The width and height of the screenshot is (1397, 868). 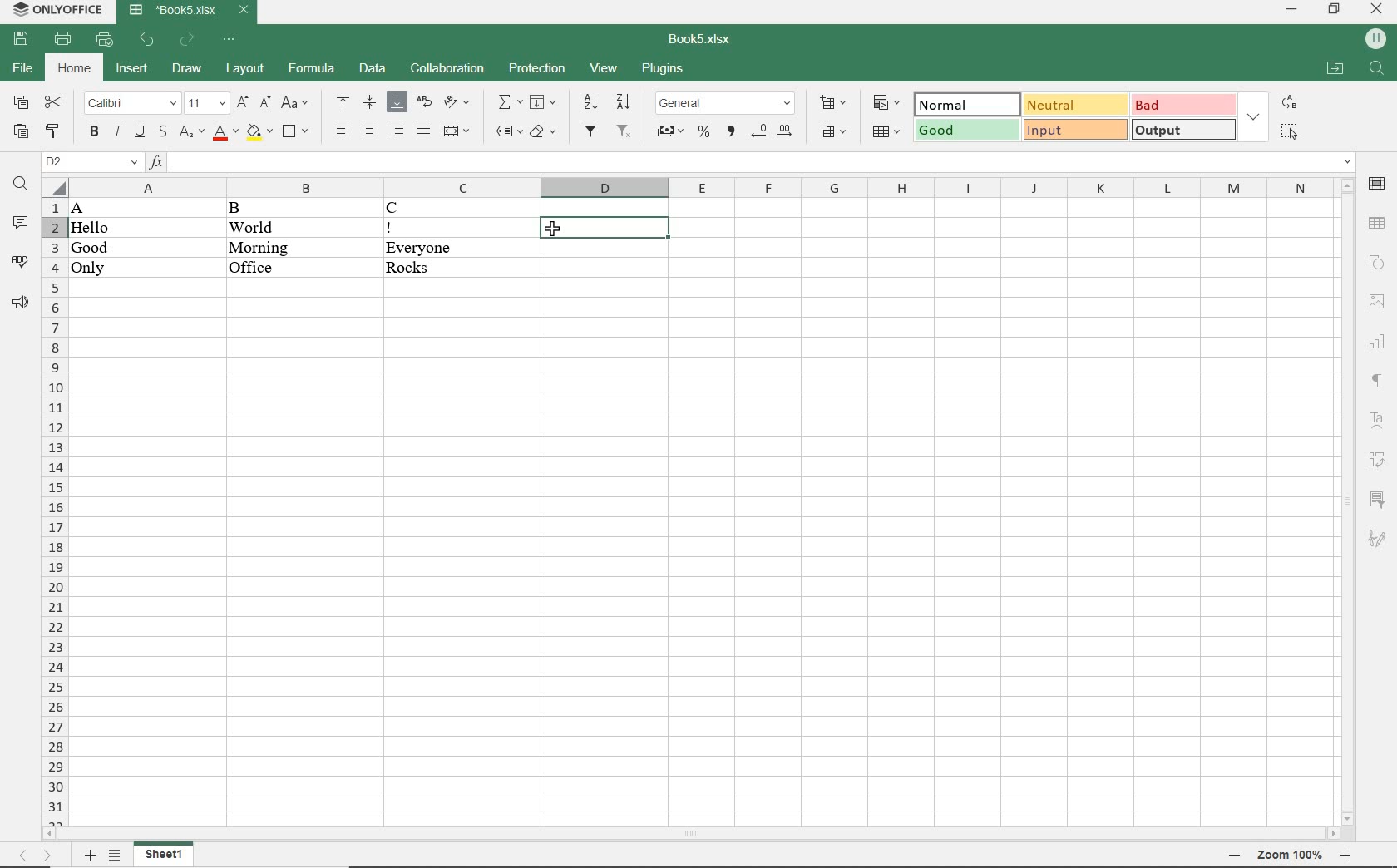 I want to click on comments, so click(x=20, y=224).